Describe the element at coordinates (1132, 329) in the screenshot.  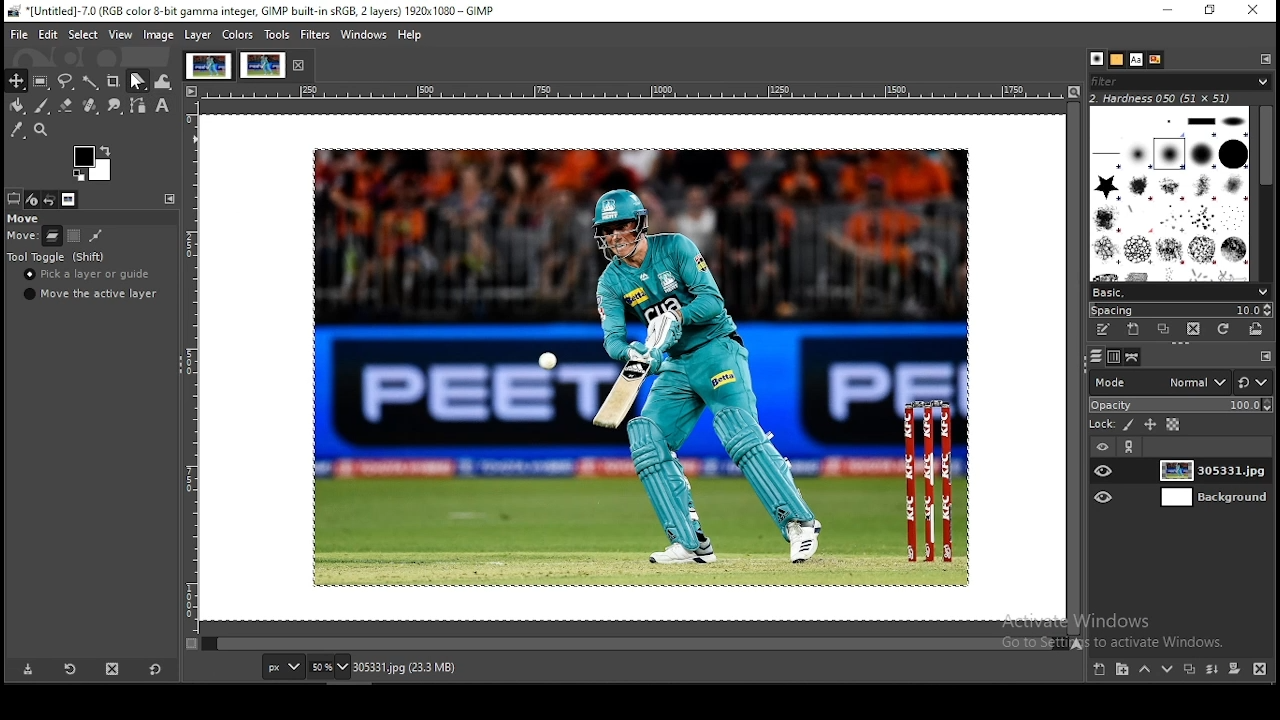
I see `create a new brush` at that location.